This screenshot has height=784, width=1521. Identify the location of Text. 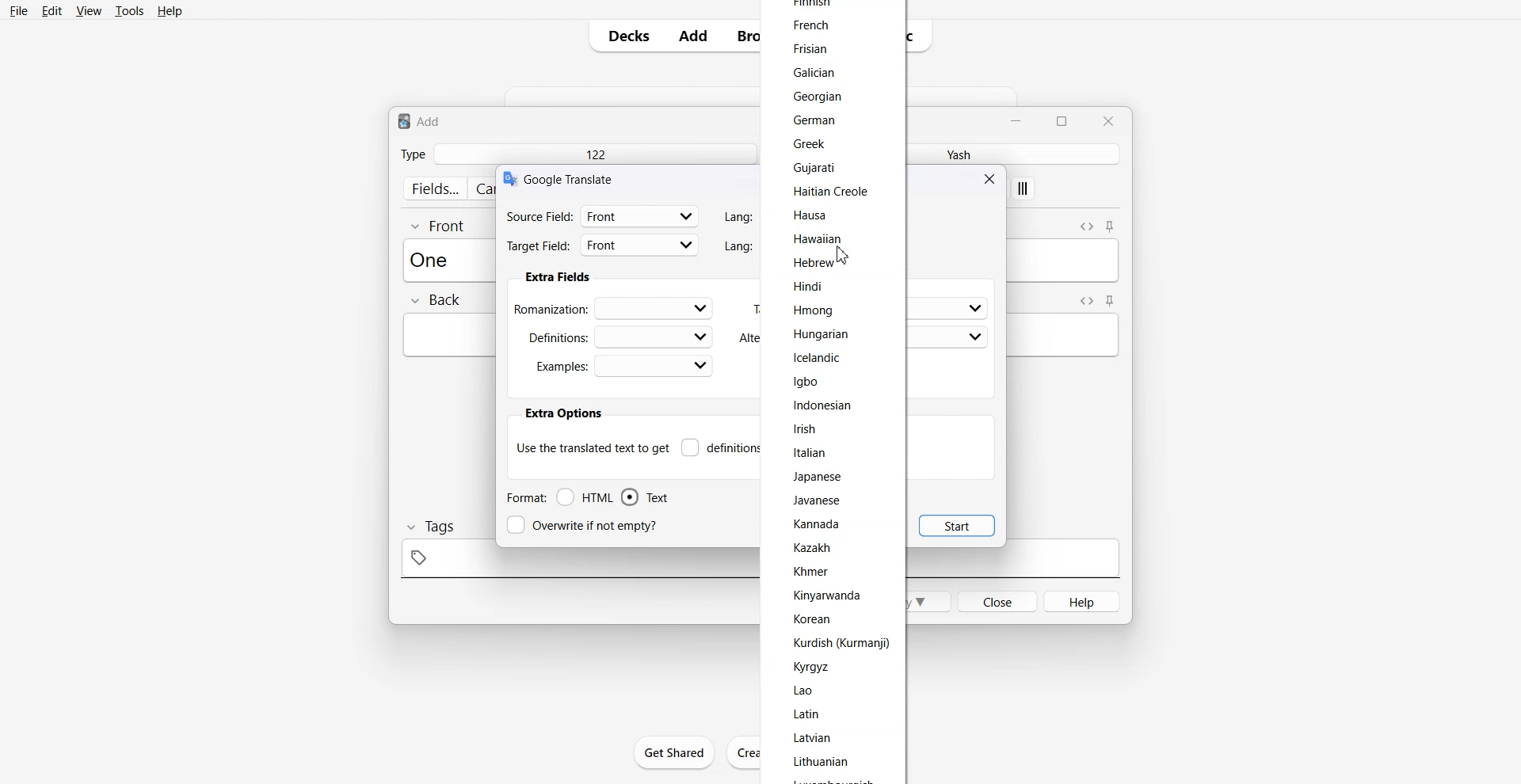
(645, 497).